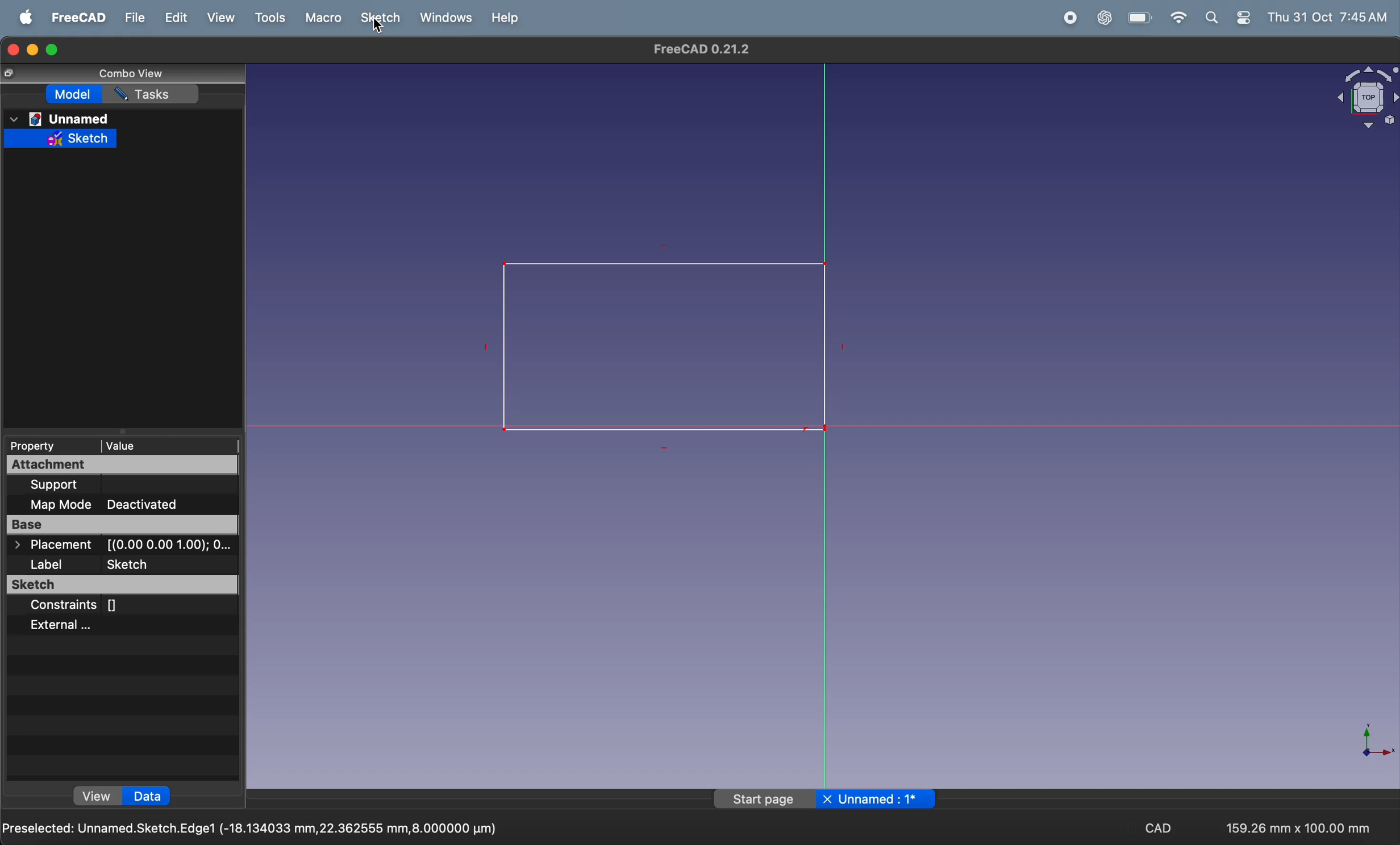  I want to click on sketch, so click(380, 19).